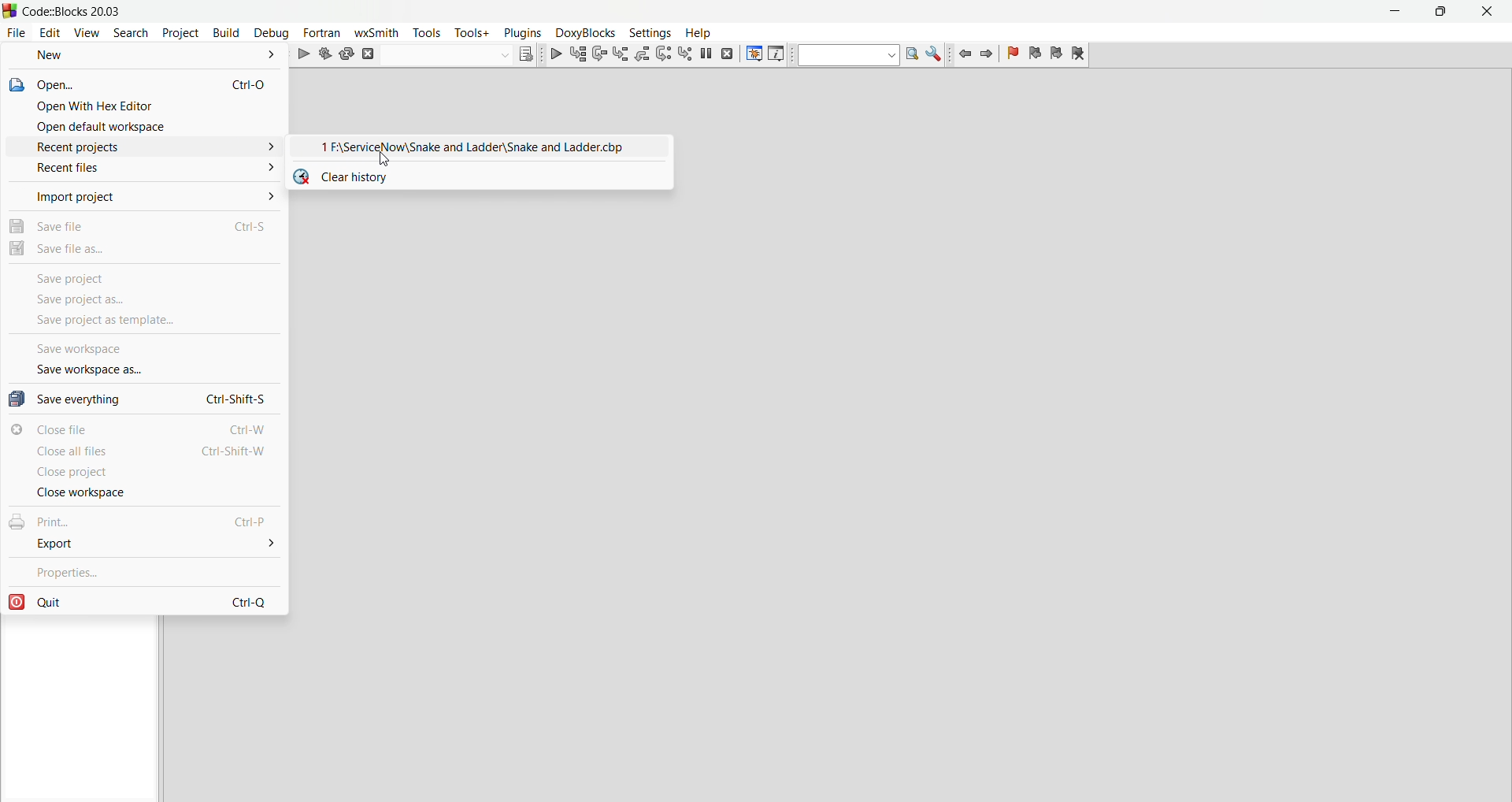  Describe the element at coordinates (648, 32) in the screenshot. I see `settings` at that location.